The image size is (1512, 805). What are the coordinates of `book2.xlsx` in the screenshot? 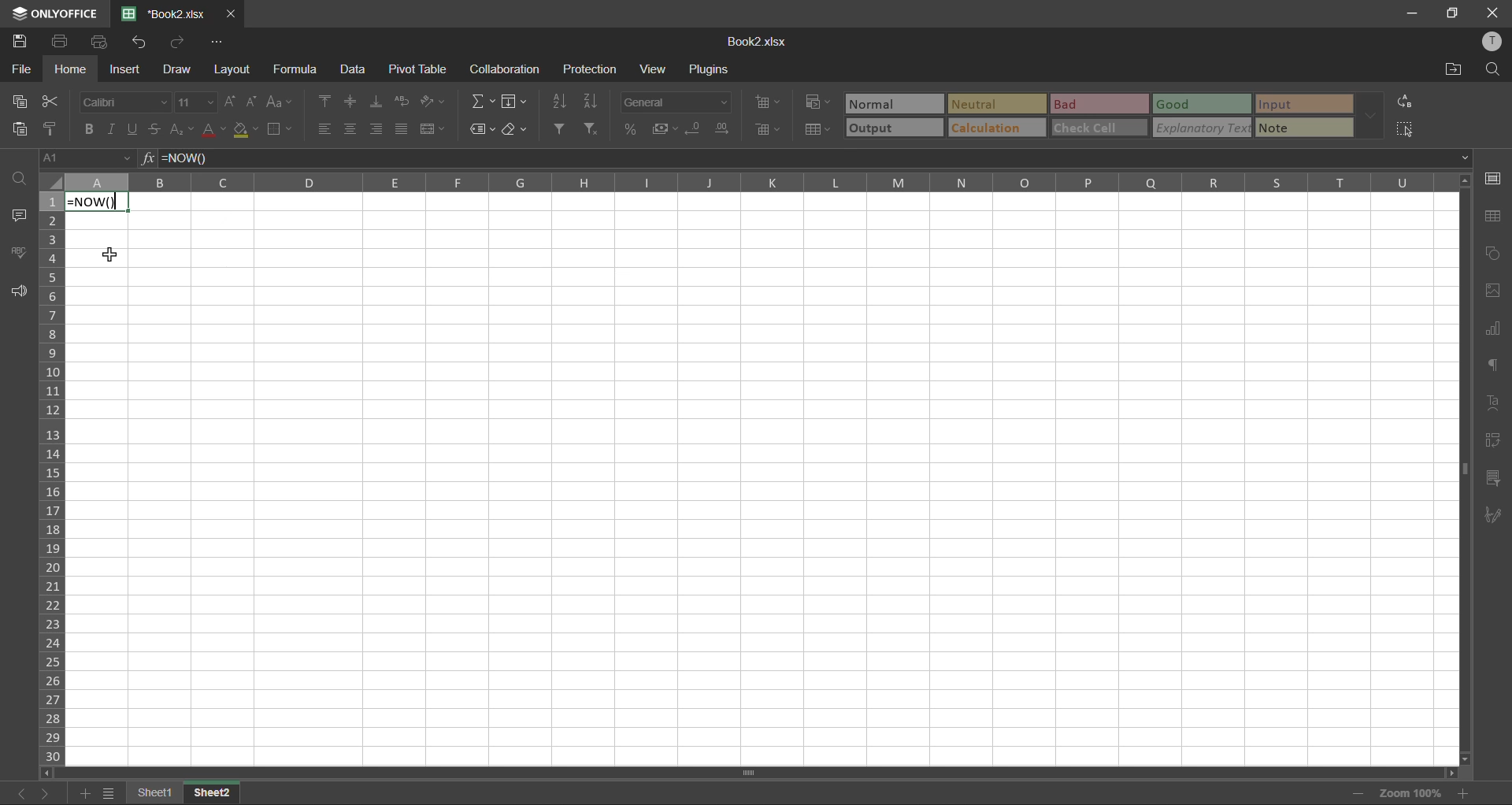 It's located at (162, 13).